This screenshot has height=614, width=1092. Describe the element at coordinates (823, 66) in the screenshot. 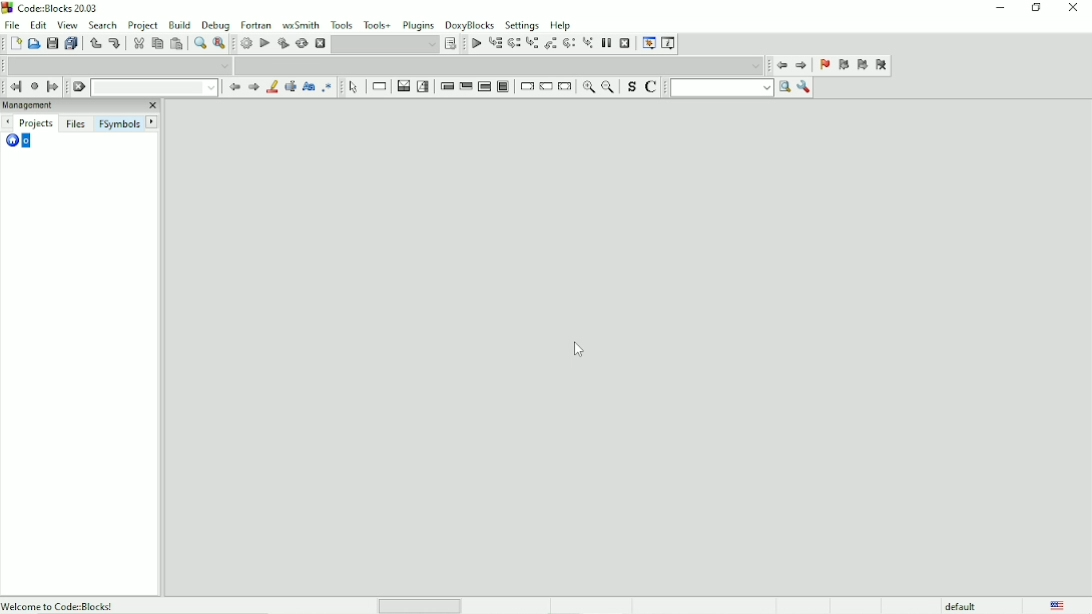

I see `Toggle bookmark` at that location.